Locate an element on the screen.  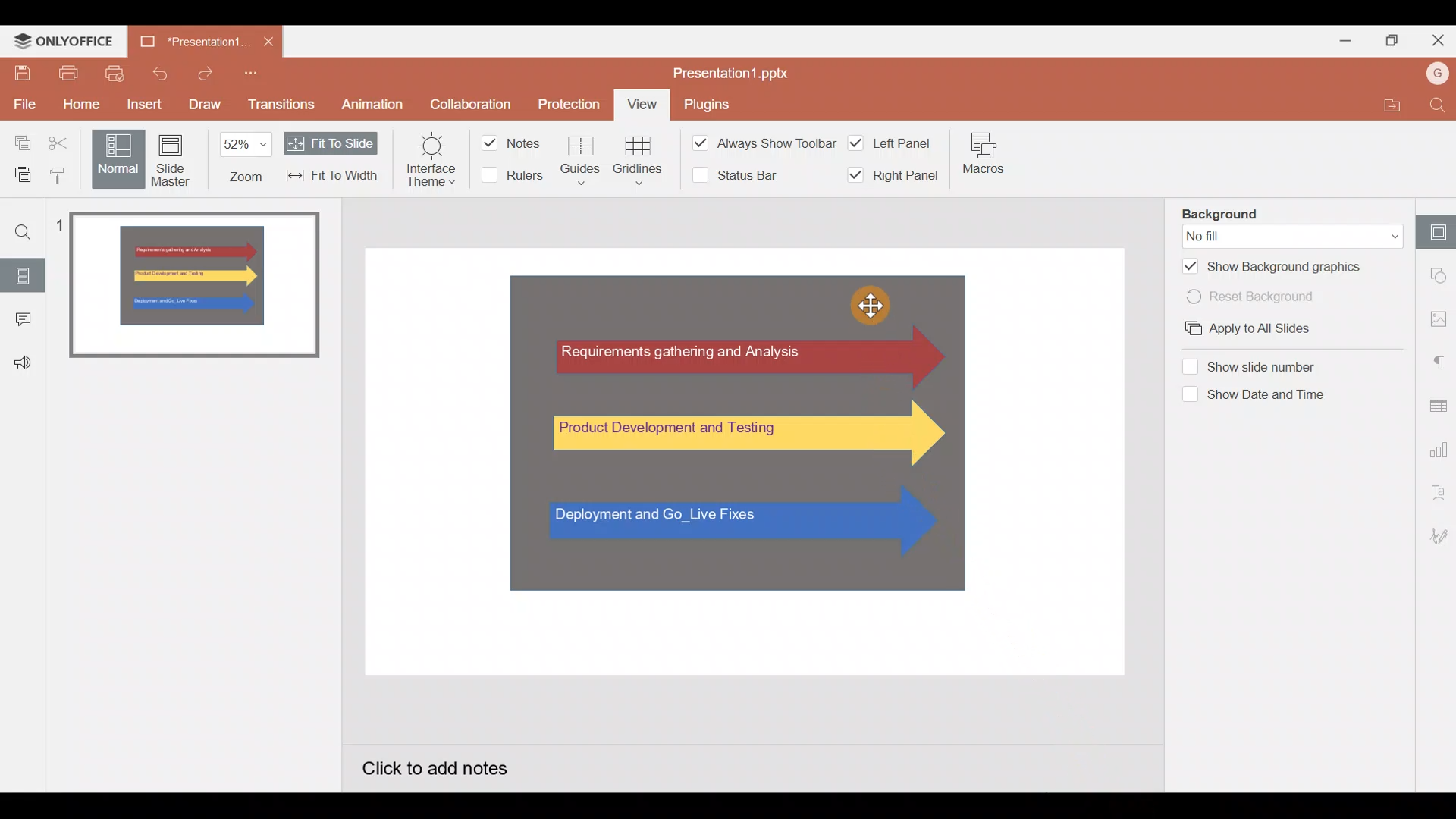
Presentation1. is located at coordinates (191, 42).